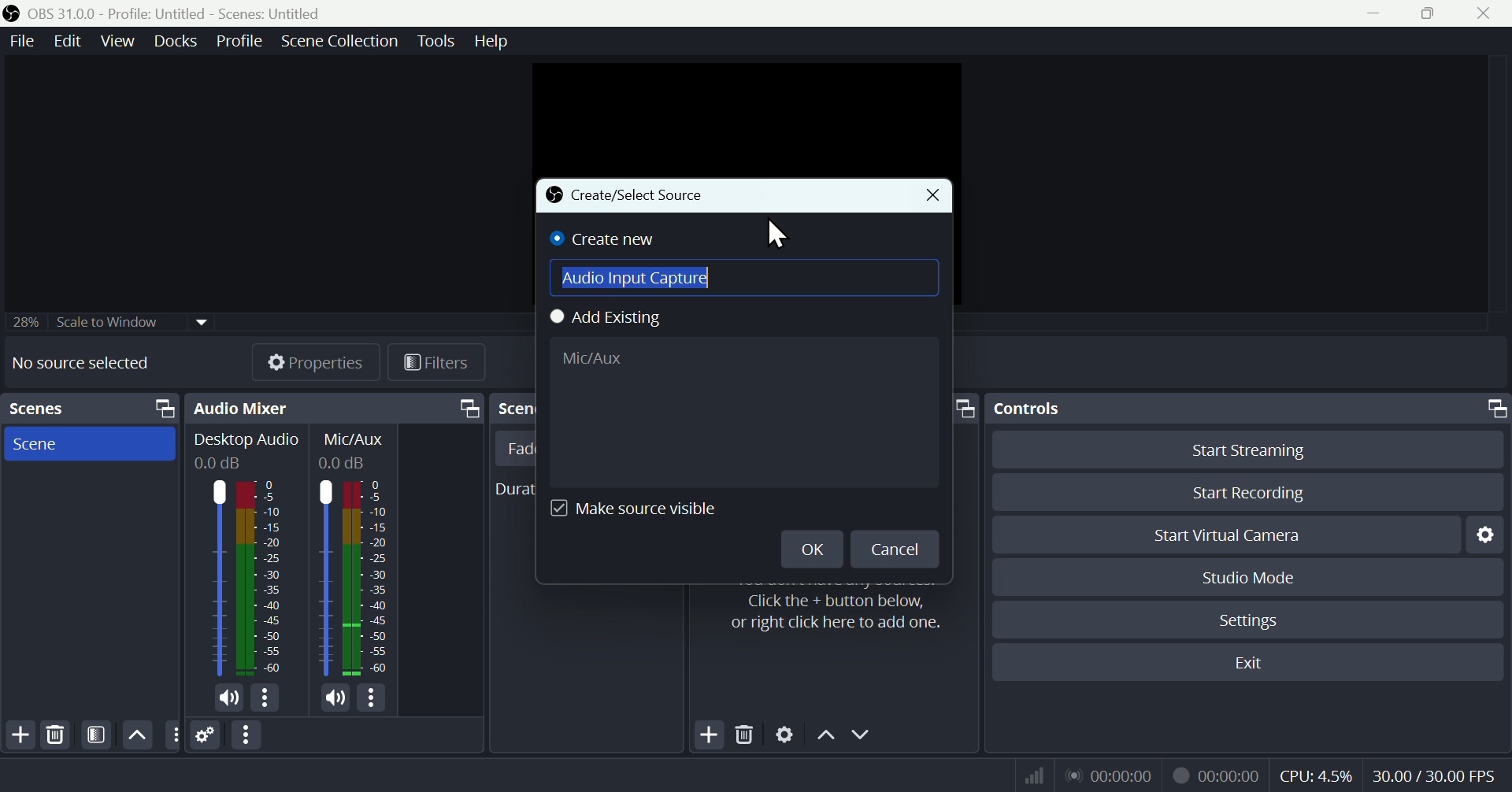 The image size is (1512, 792). Describe the element at coordinates (627, 196) in the screenshot. I see `Create/Select Source` at that location.